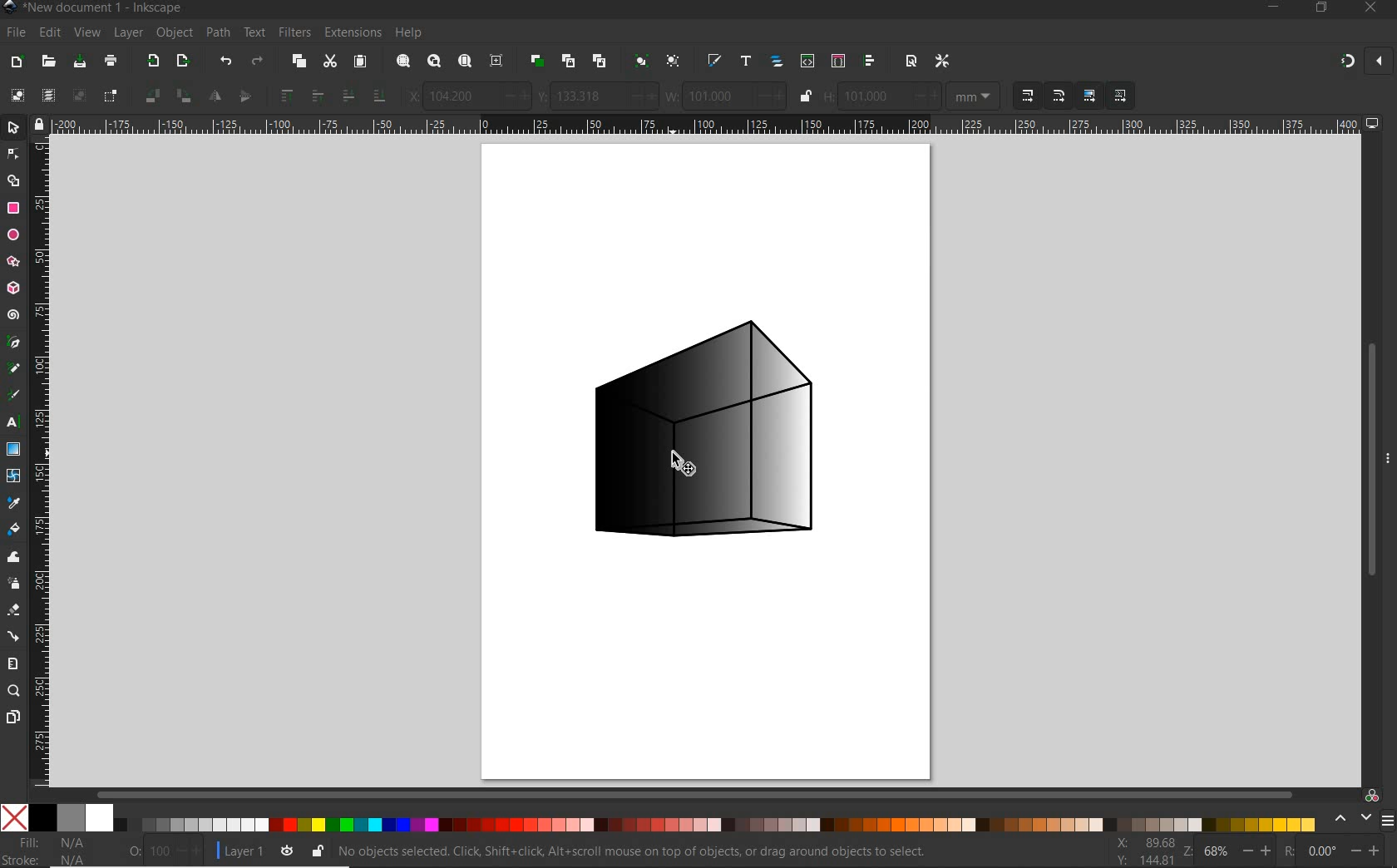  What do you see at coordinates (262, 60) in the screenshot?
I see `REDO` at bounding box center [262, 60].